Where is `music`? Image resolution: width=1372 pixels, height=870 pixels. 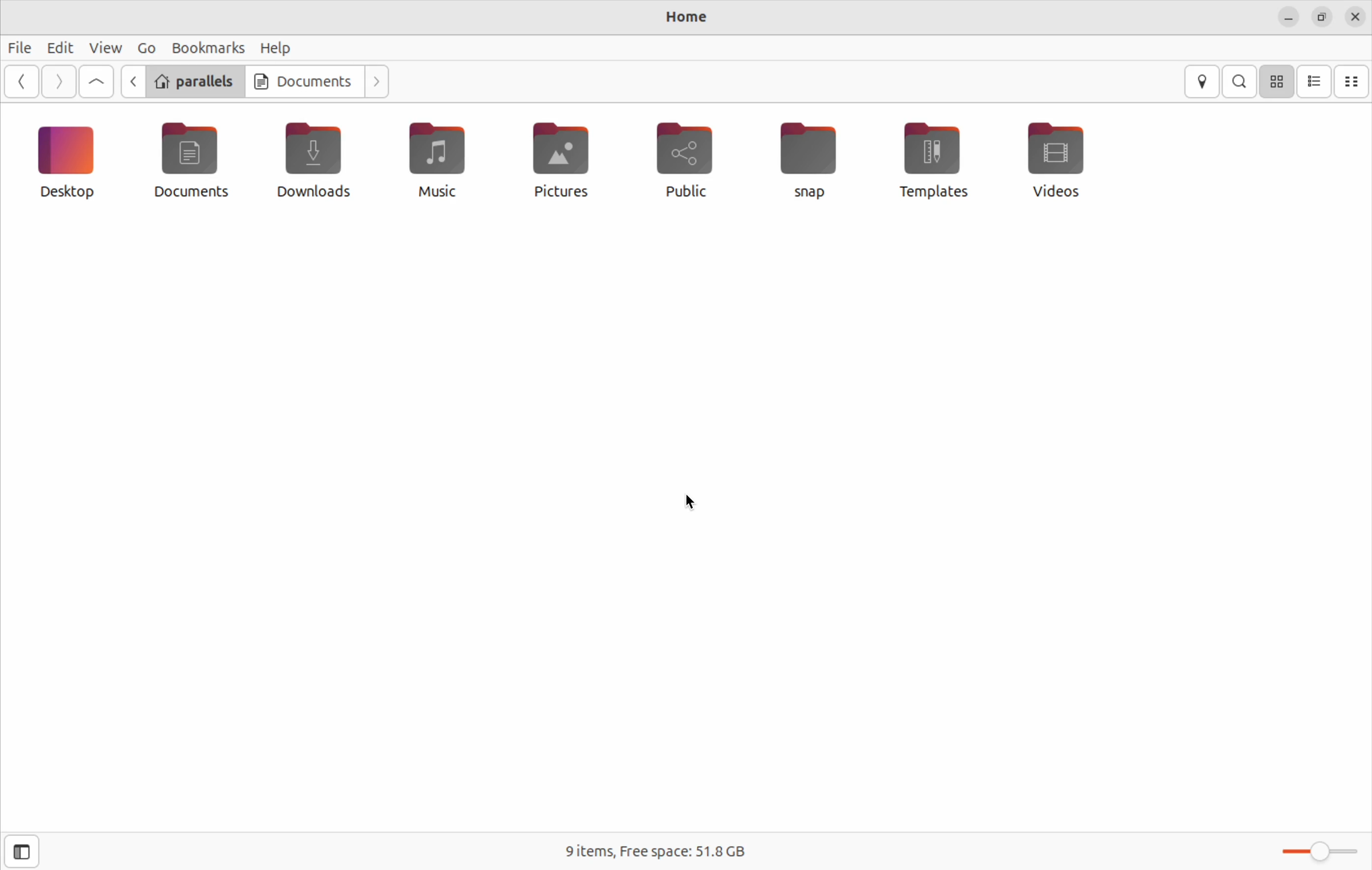
music is located at coordinates (439, 164).